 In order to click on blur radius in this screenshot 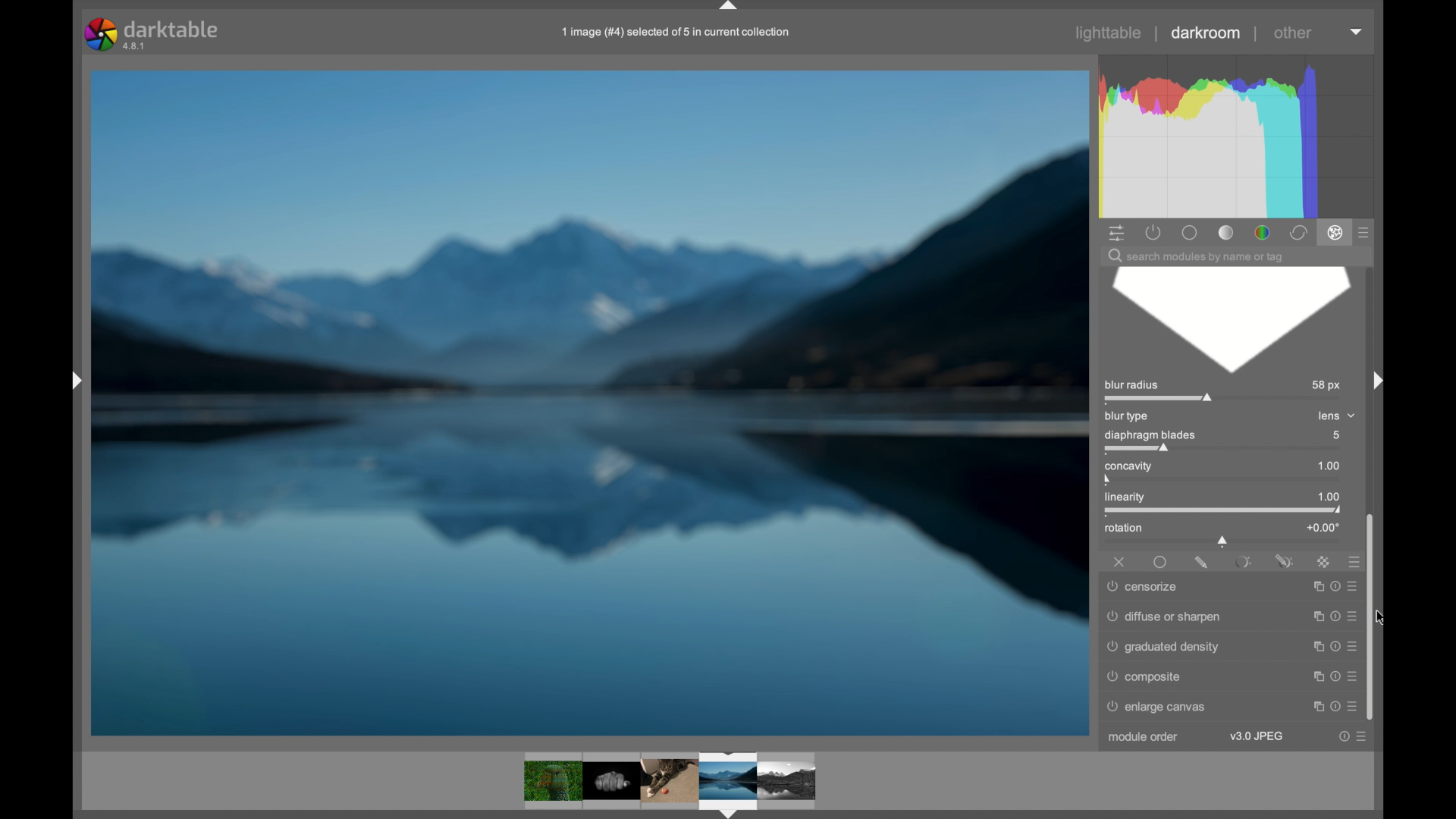, I will do `click(1161, 391)`.